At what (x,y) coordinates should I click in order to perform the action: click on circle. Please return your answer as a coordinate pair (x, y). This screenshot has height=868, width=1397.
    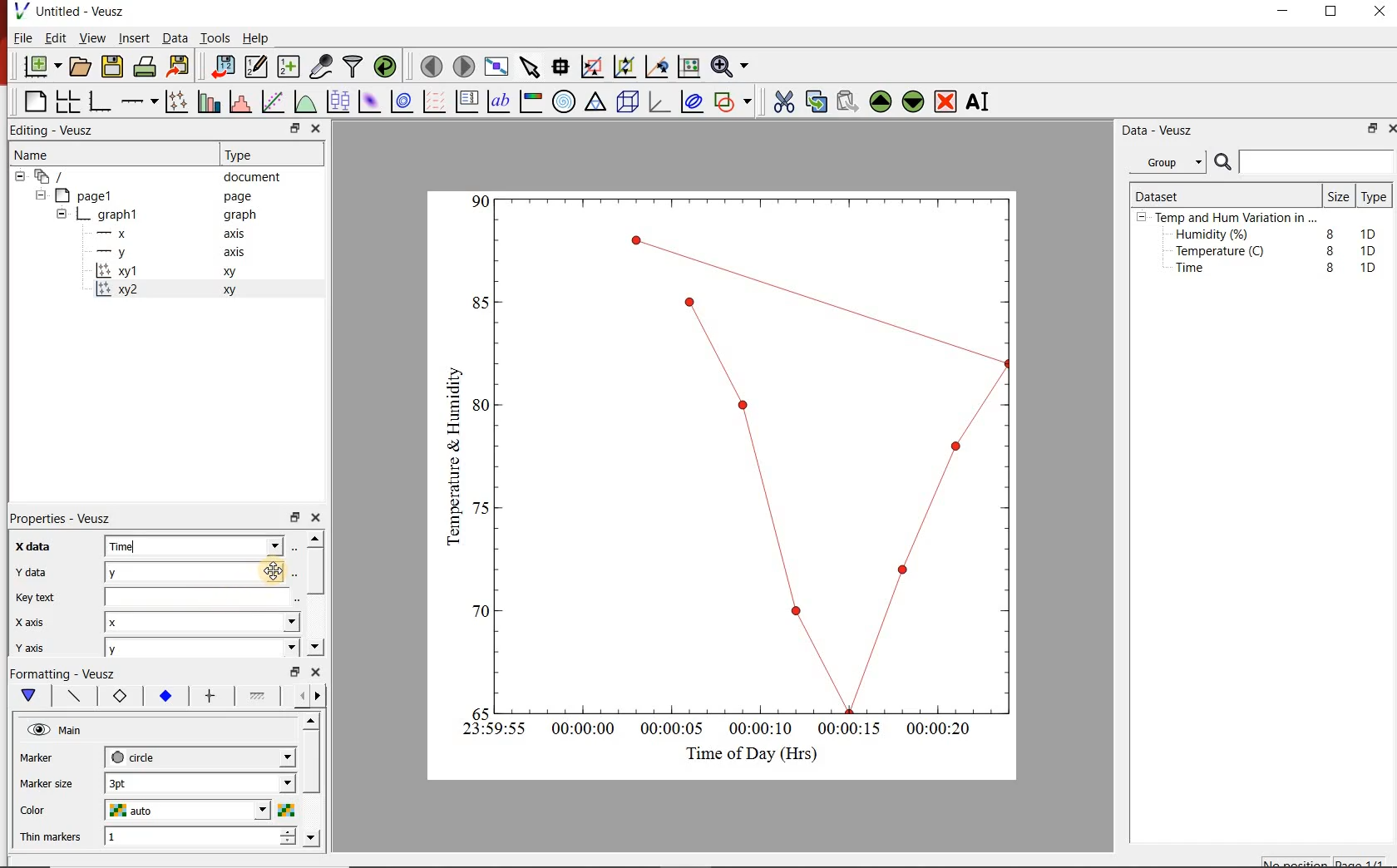
    Looking at the image, I should click on (136, 757).